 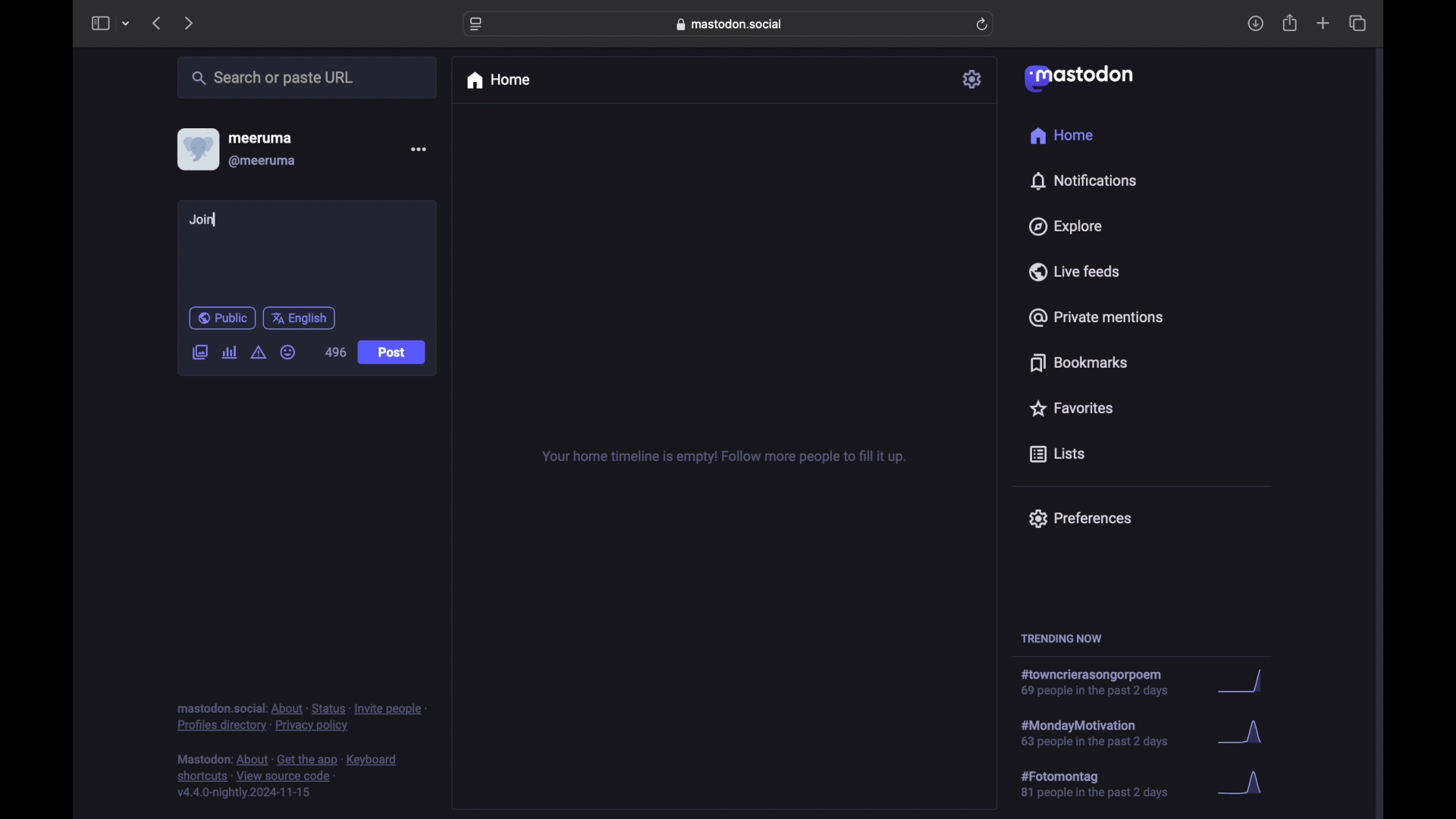 I want to click on next, so click(x=190, y=23).